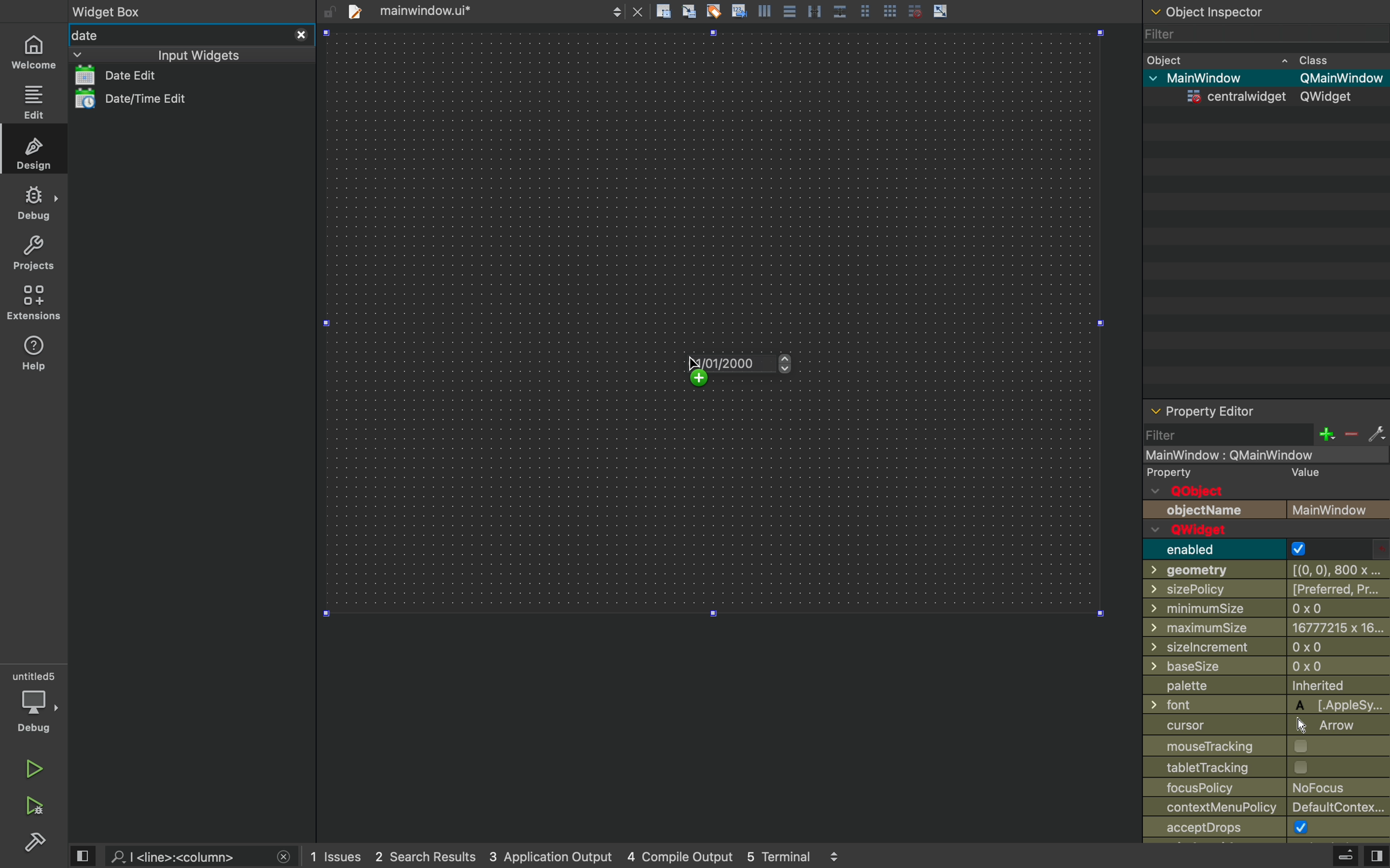 The width and height of the screenshot is (1390, 868). What do you see at coordinates (34, 702) in the screenshot?
I see `debug` at bounding box center [34, 702].